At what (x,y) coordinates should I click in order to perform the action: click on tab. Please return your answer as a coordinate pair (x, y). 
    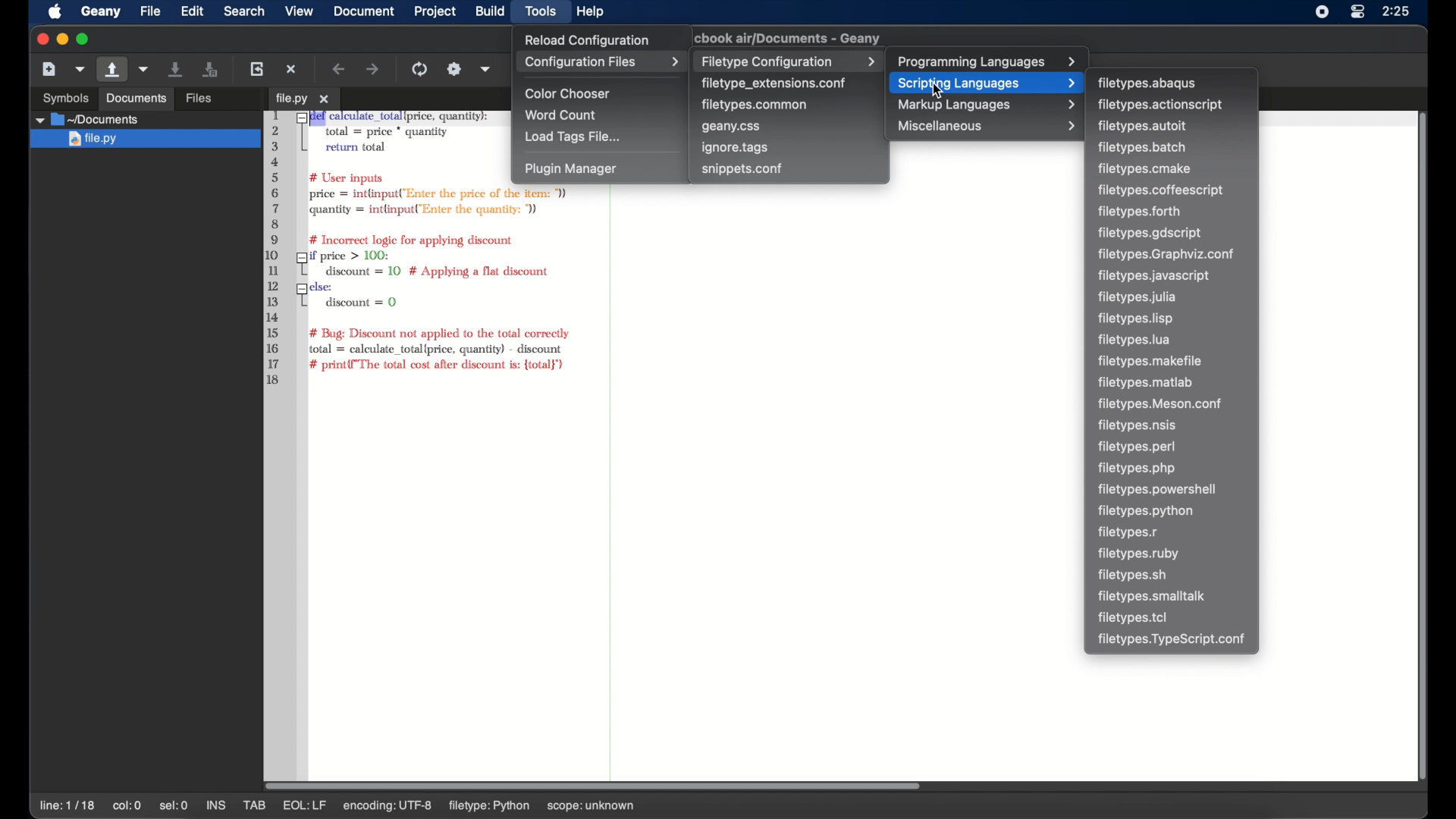
    Looking at the image, I should click on (256, 805).